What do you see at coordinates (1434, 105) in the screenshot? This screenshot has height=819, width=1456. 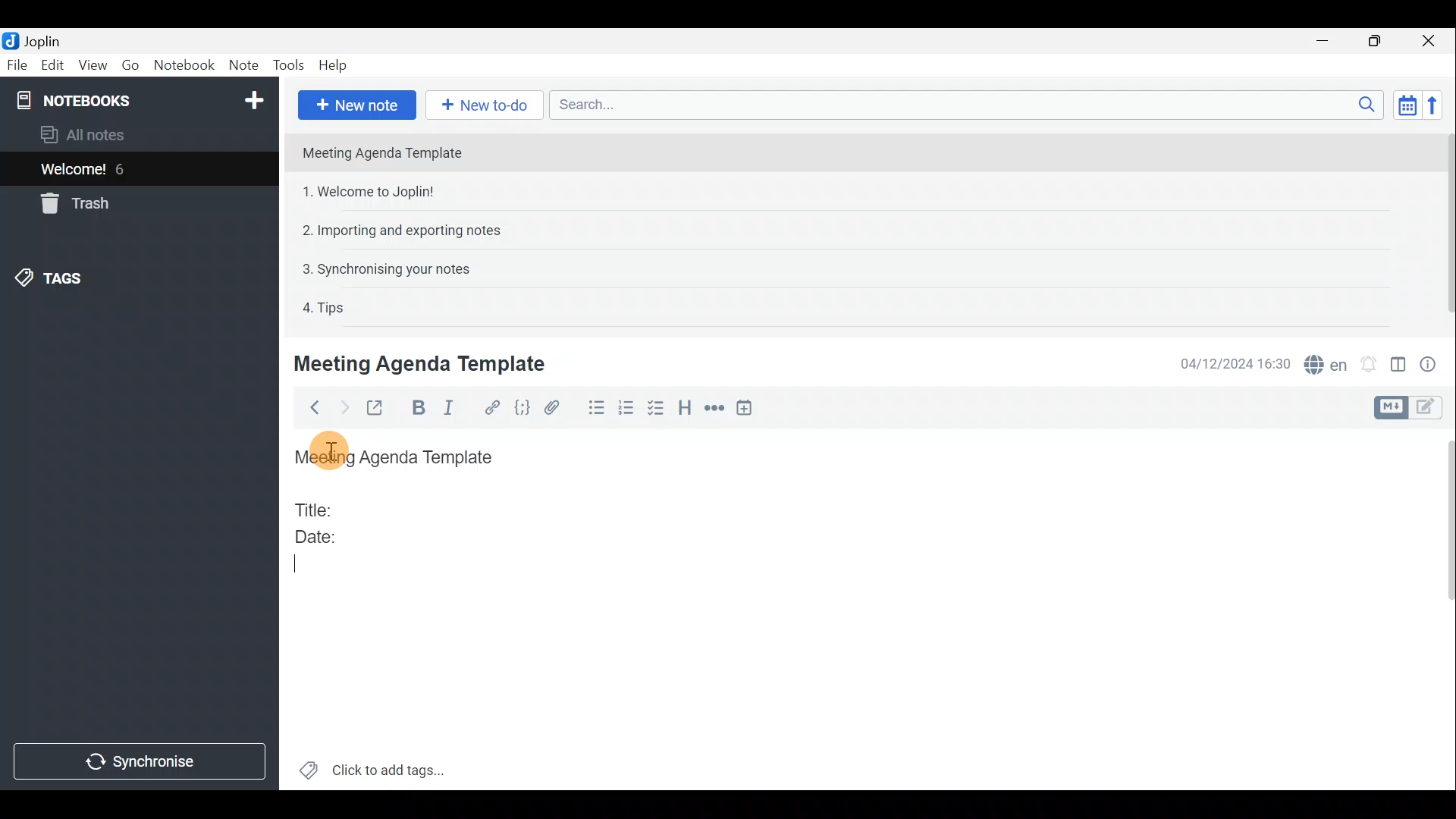 I see `Reverse sort order` at bounding box center [1434, 105].